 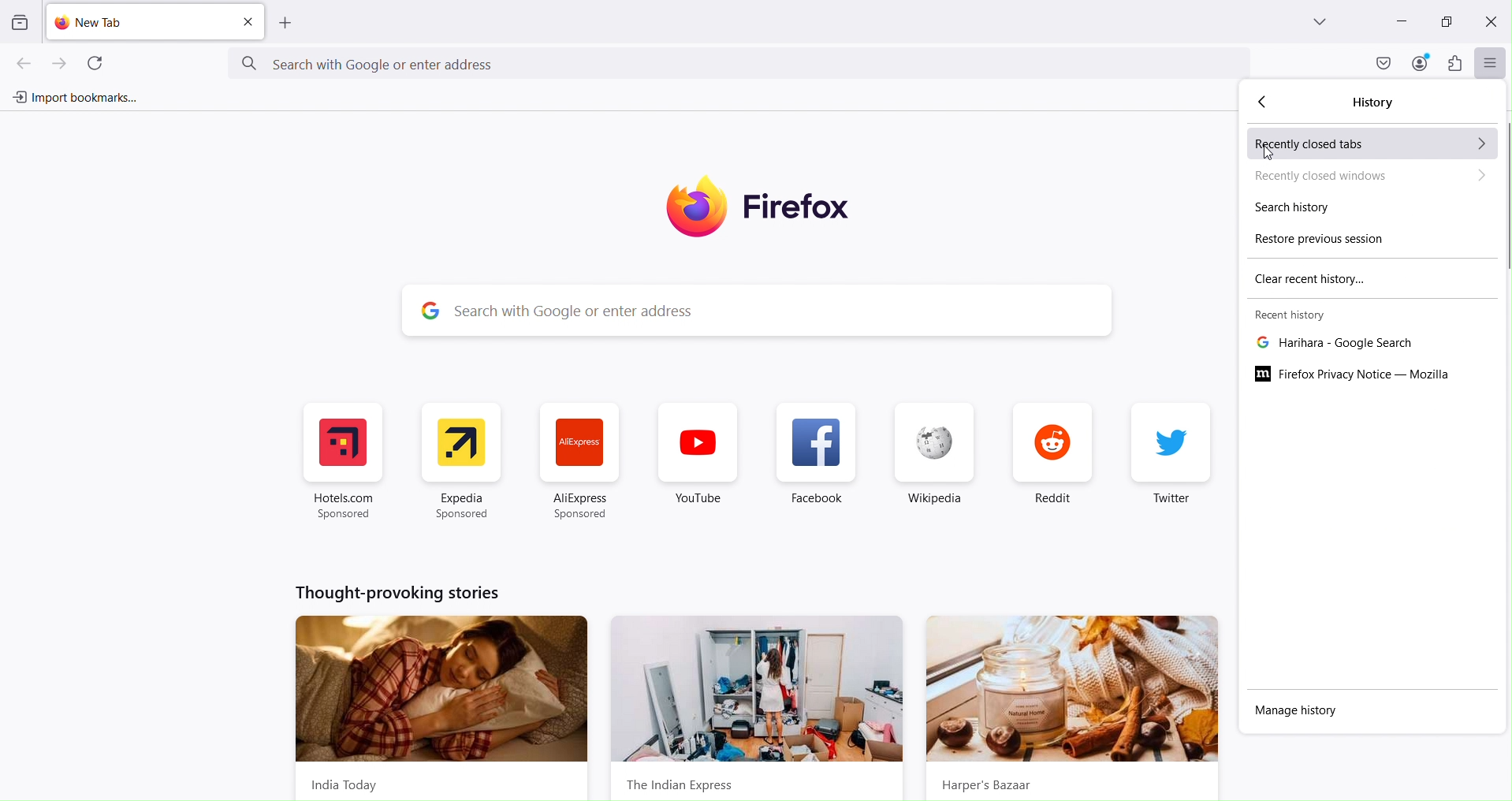 What do you see at coordinates (426, 310) in the screenshot?
I see `google logo` at bounding box center [426, 310].